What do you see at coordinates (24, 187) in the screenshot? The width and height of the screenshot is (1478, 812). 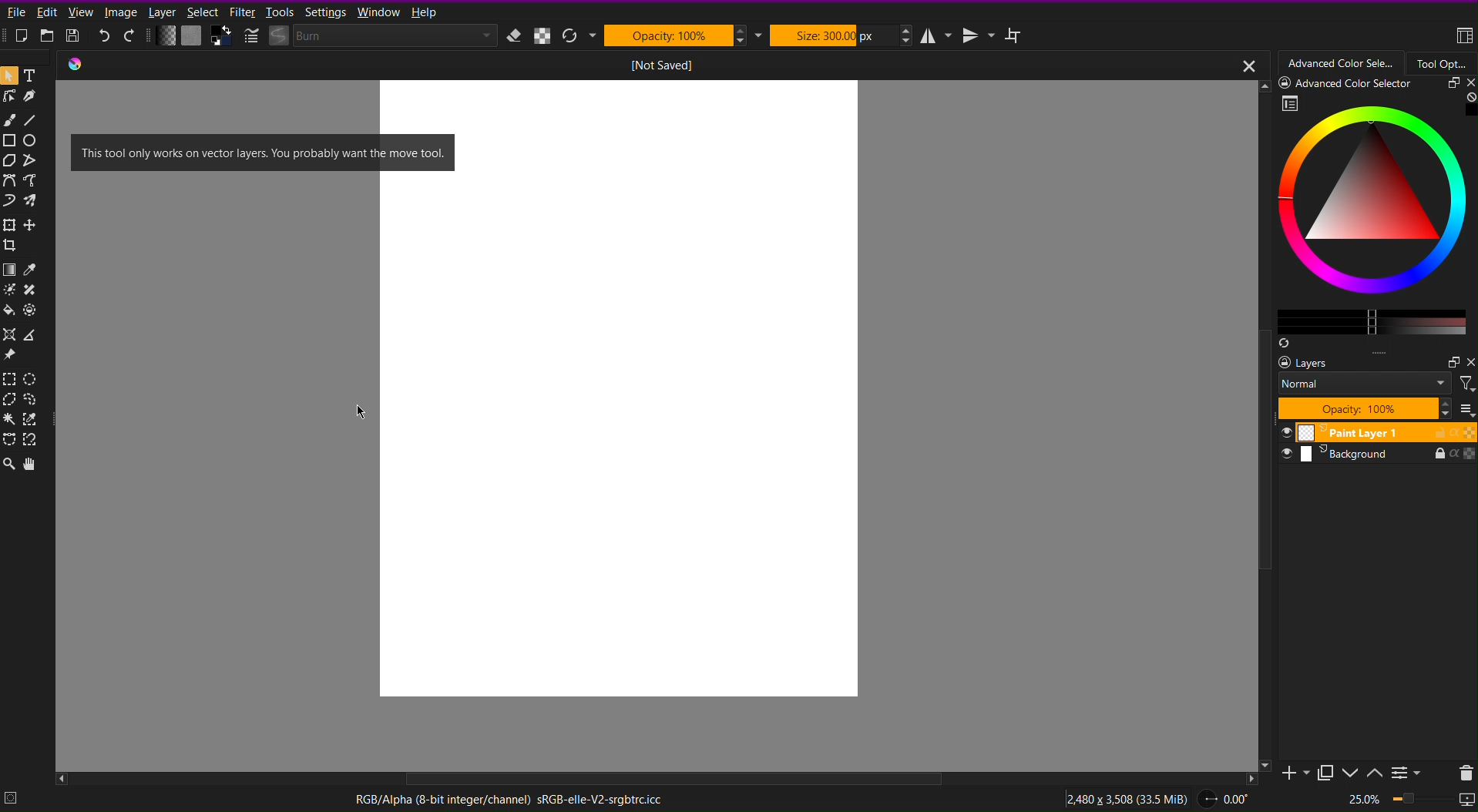 I see `Curve Tools` at bounding box center [24, 187].